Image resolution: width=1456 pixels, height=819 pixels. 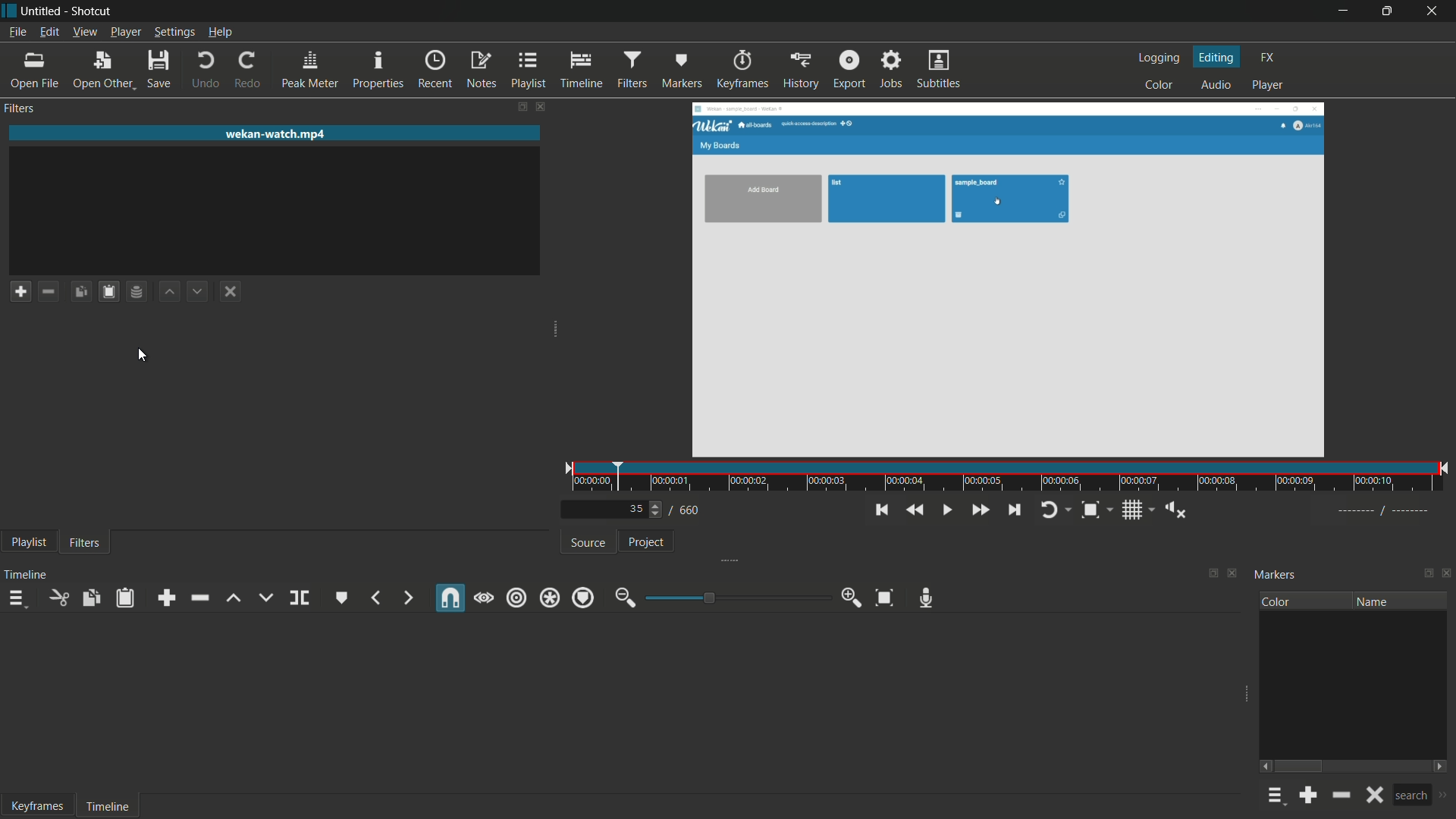 I want to click on markers, so click(x=1276, y=576).